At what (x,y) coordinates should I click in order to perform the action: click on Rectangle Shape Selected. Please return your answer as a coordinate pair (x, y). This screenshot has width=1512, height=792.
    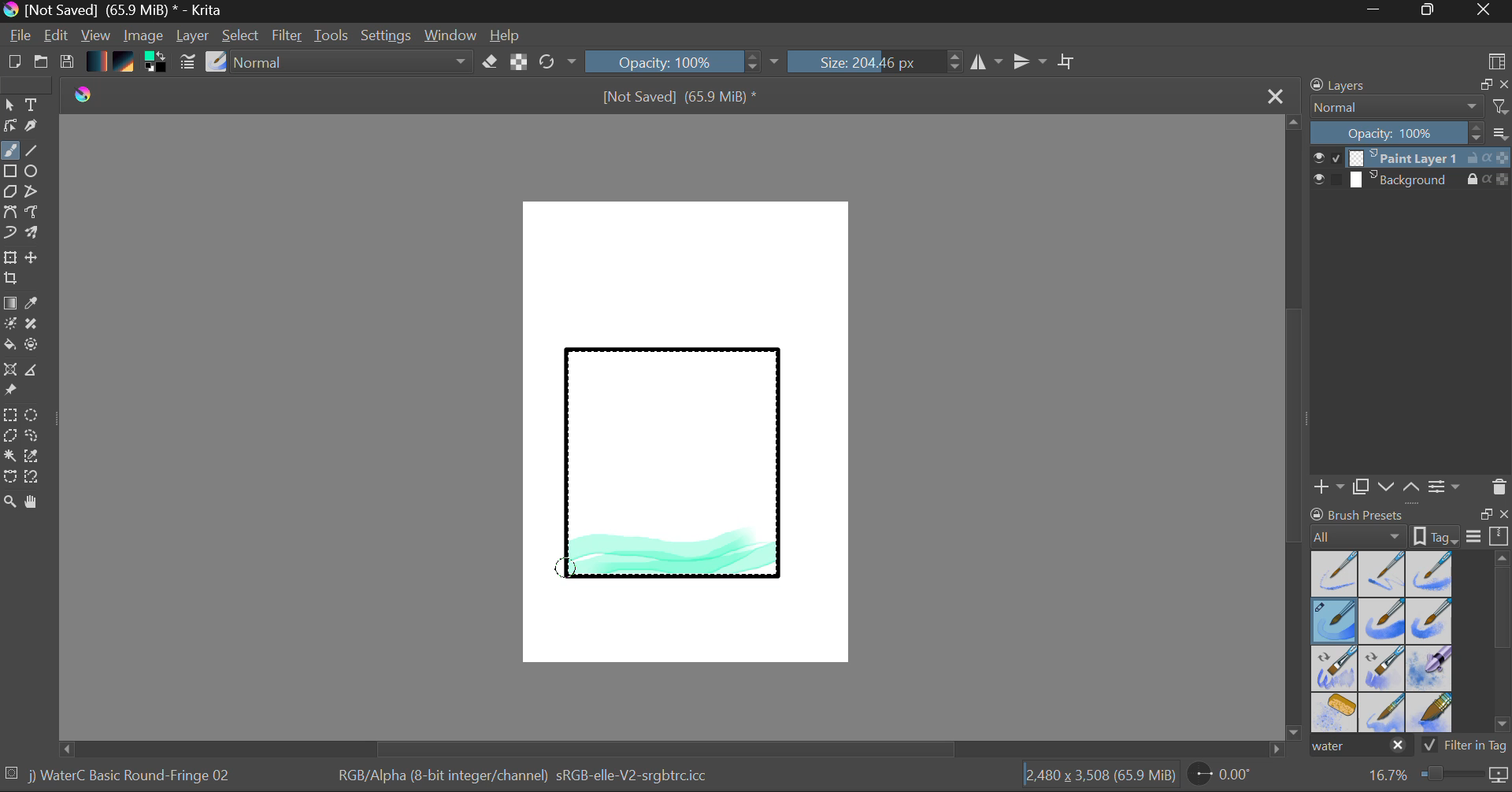
    Looking at the image, I should click on (674, 479).